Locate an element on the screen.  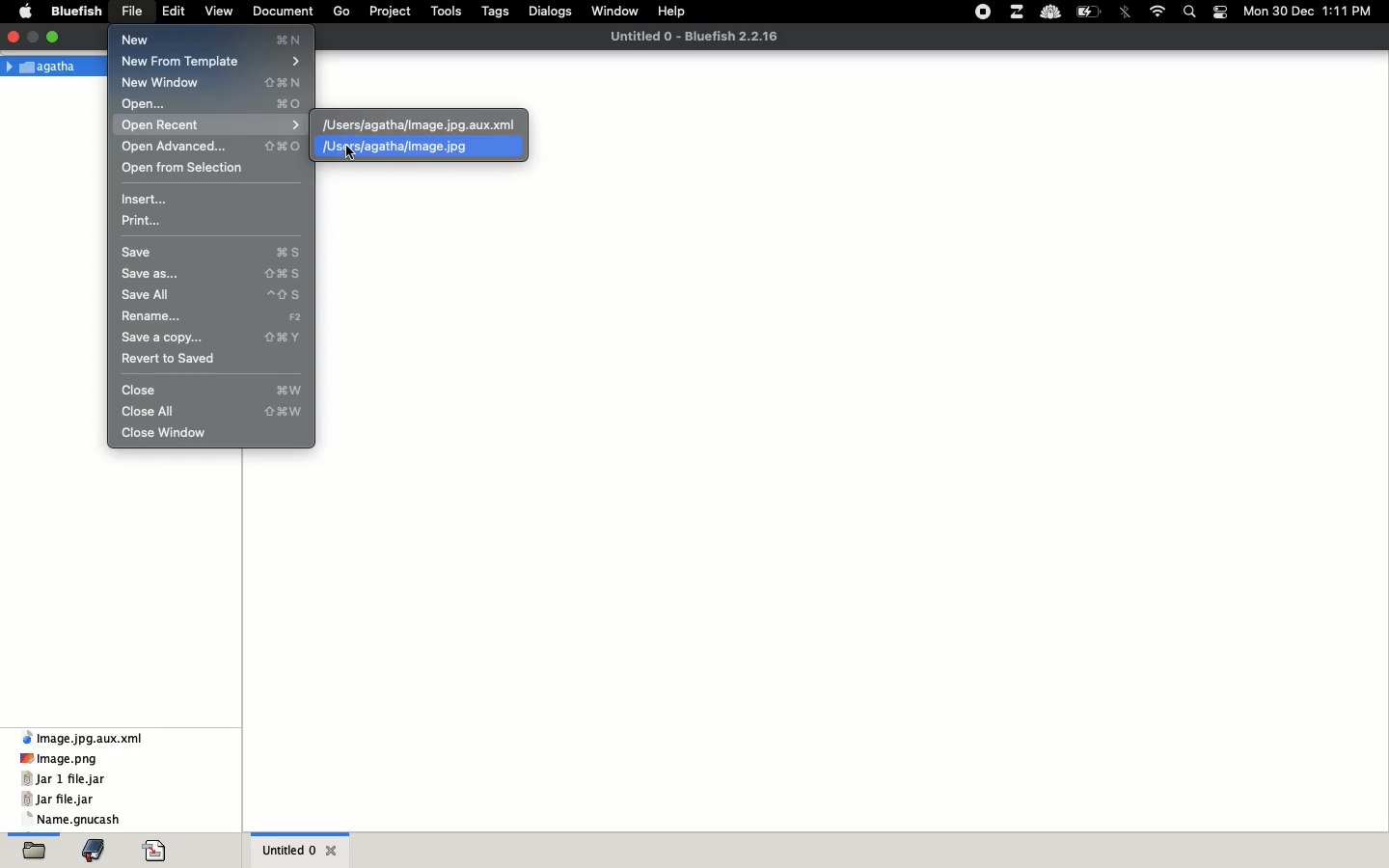
New Window  N is located at coordinates (211, 83).